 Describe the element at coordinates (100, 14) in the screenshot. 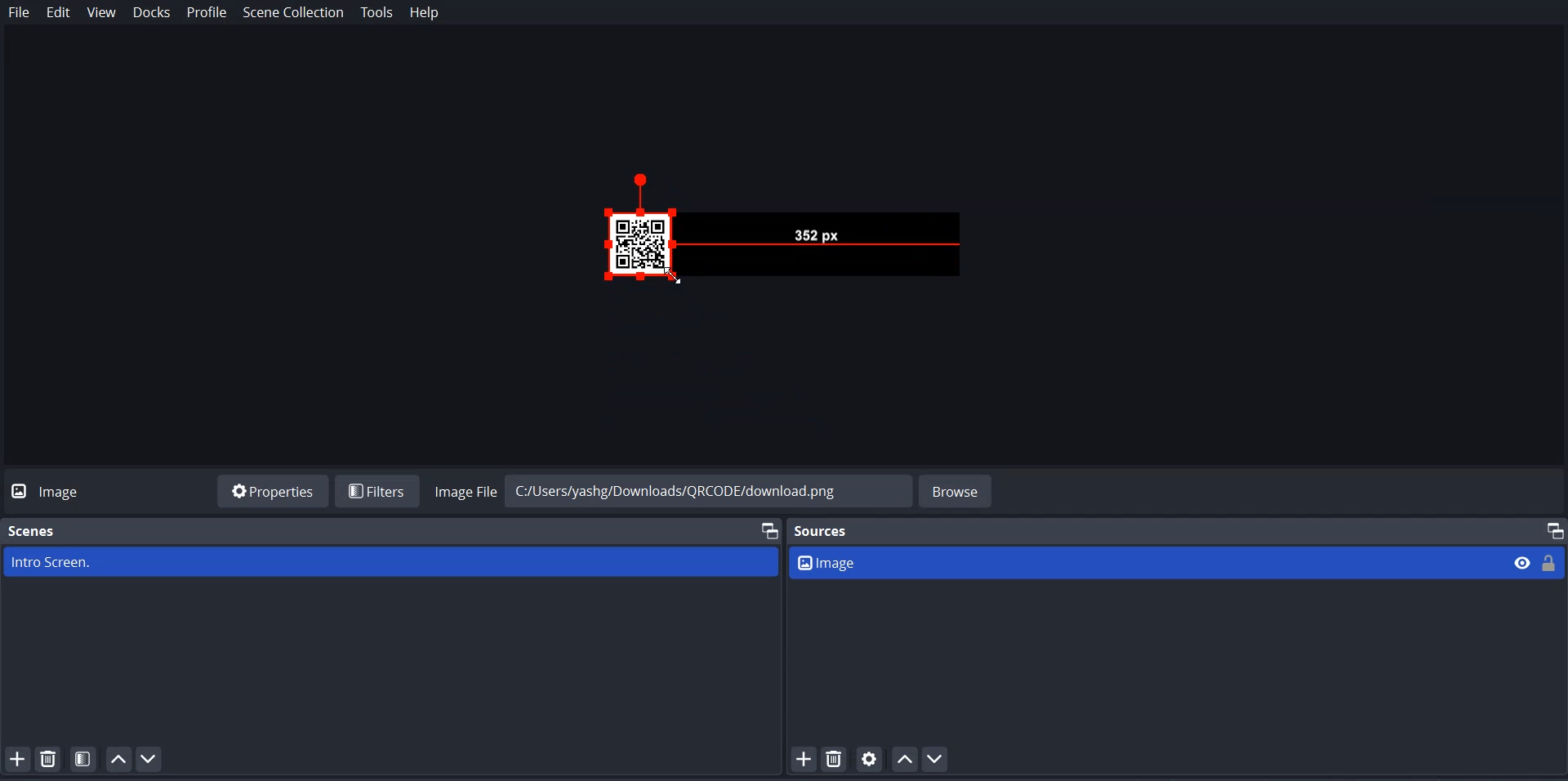

I see `View` at that location.